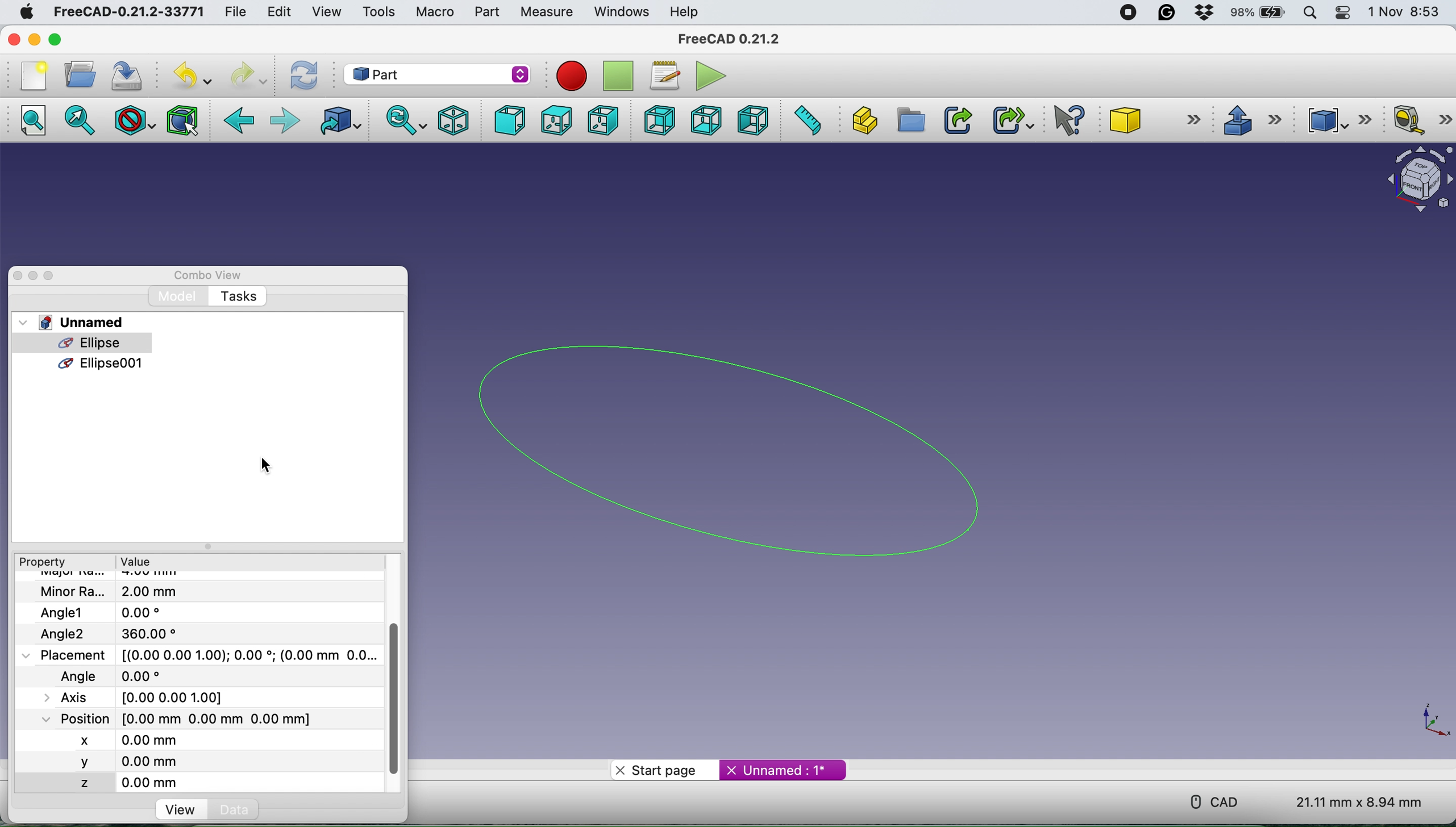 This screenshot has height=827, width=1456. What do you see at coordinates (232, 10) in the screenshot?
I see `file` at bounding box center [232, 10].